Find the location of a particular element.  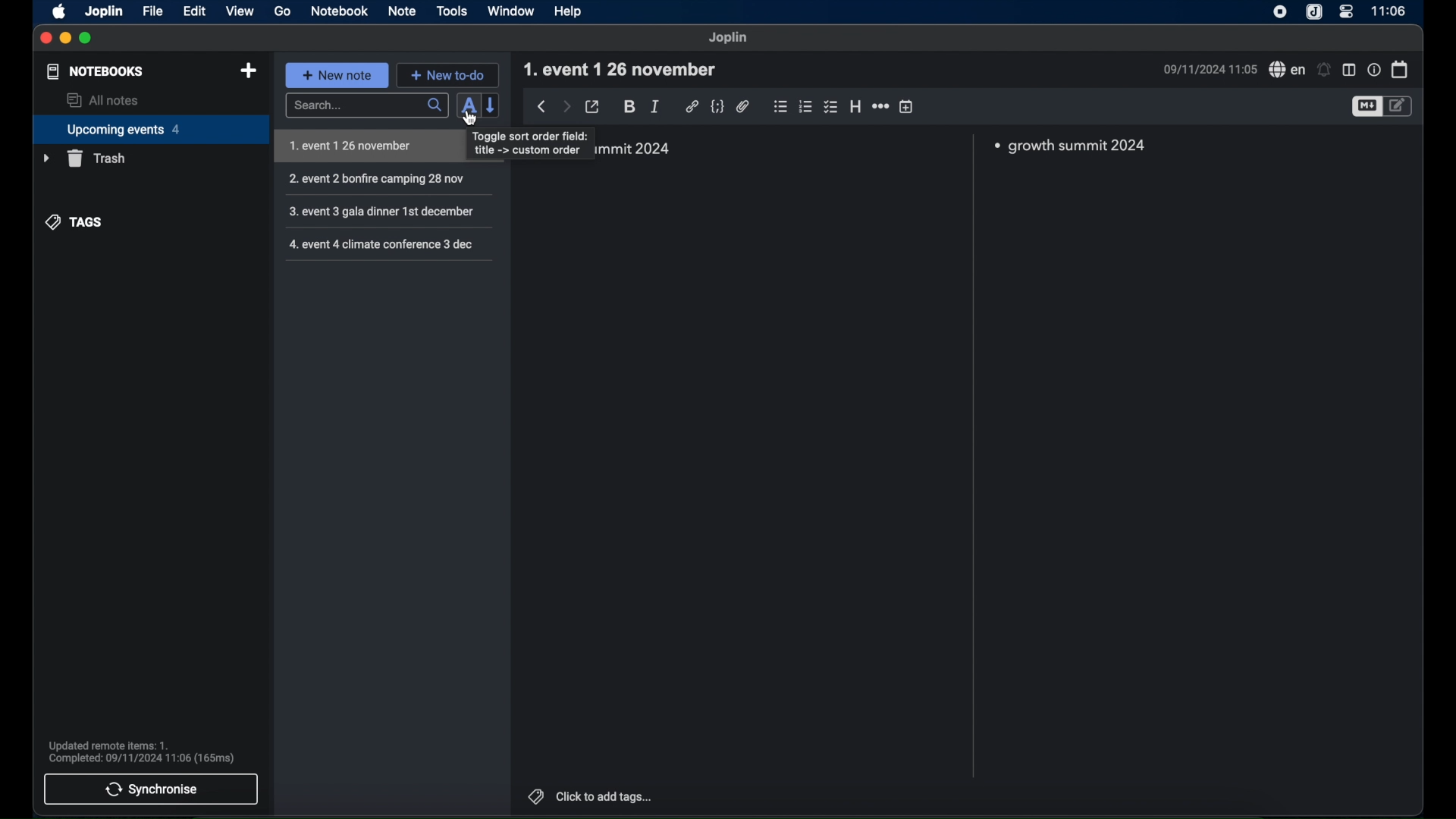

joplin is located at coordinates (105, 12).